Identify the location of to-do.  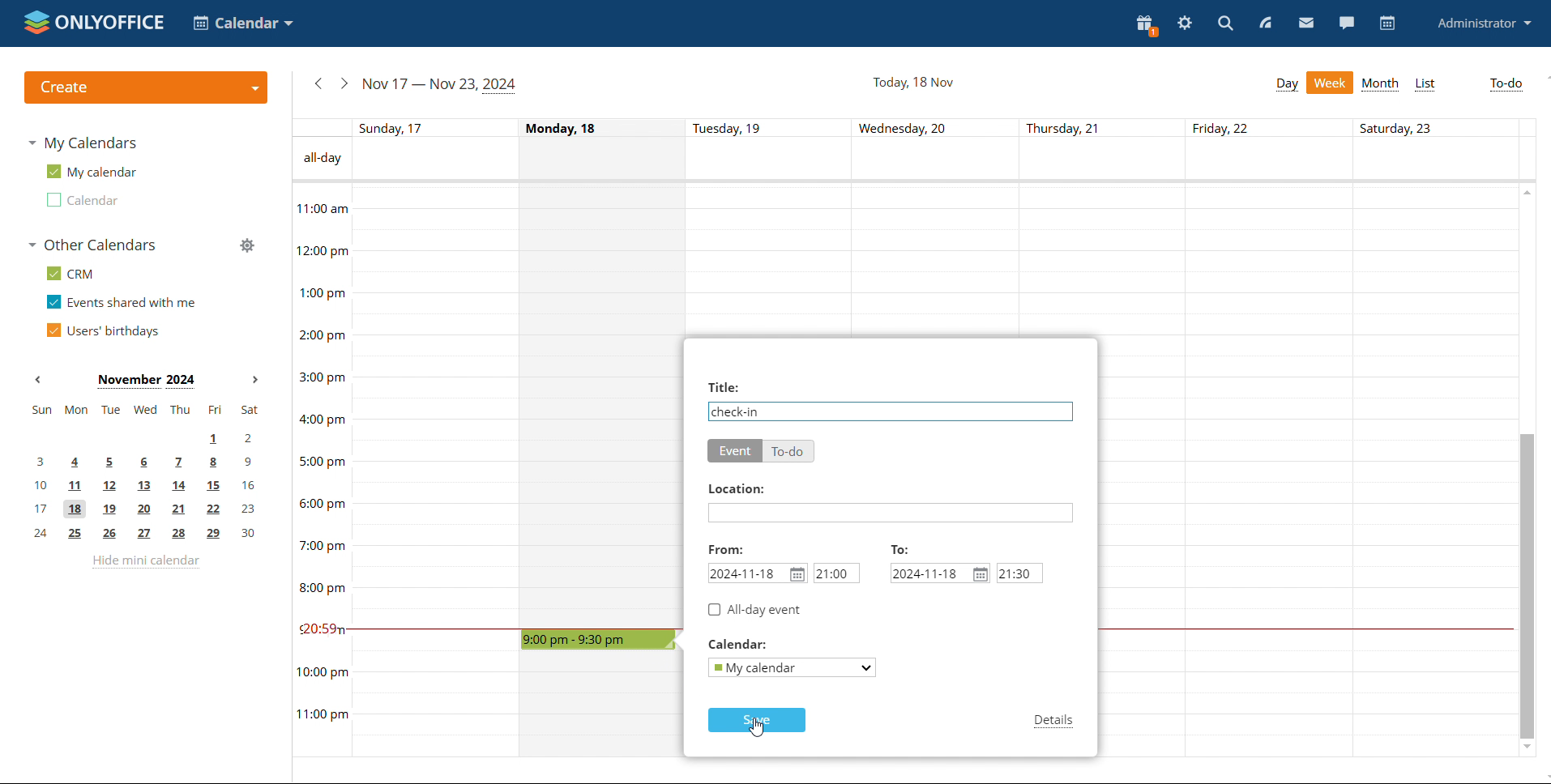
(1506, 84).